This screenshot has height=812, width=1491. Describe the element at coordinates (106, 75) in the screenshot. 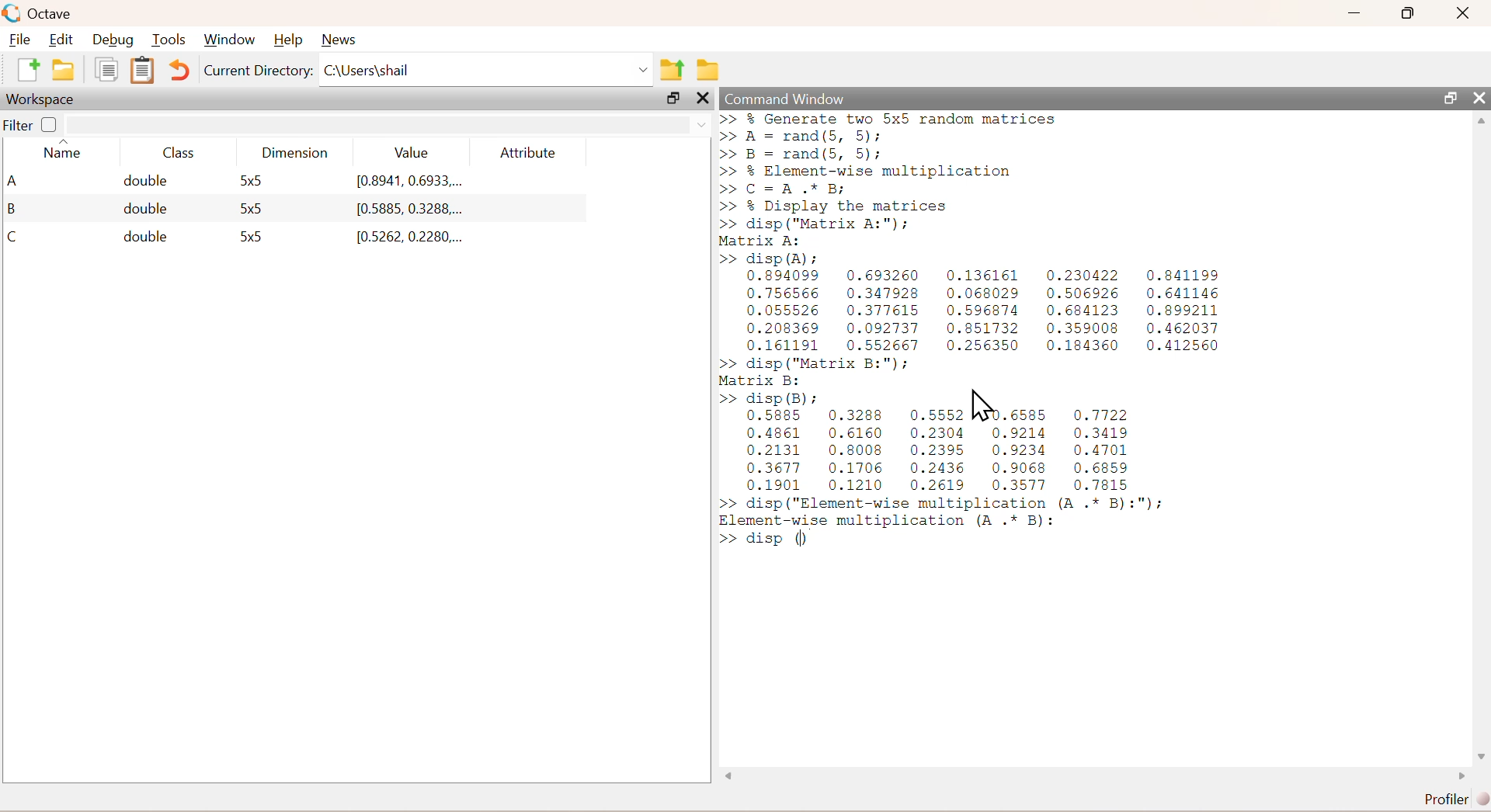

I see `Copy` at that location.